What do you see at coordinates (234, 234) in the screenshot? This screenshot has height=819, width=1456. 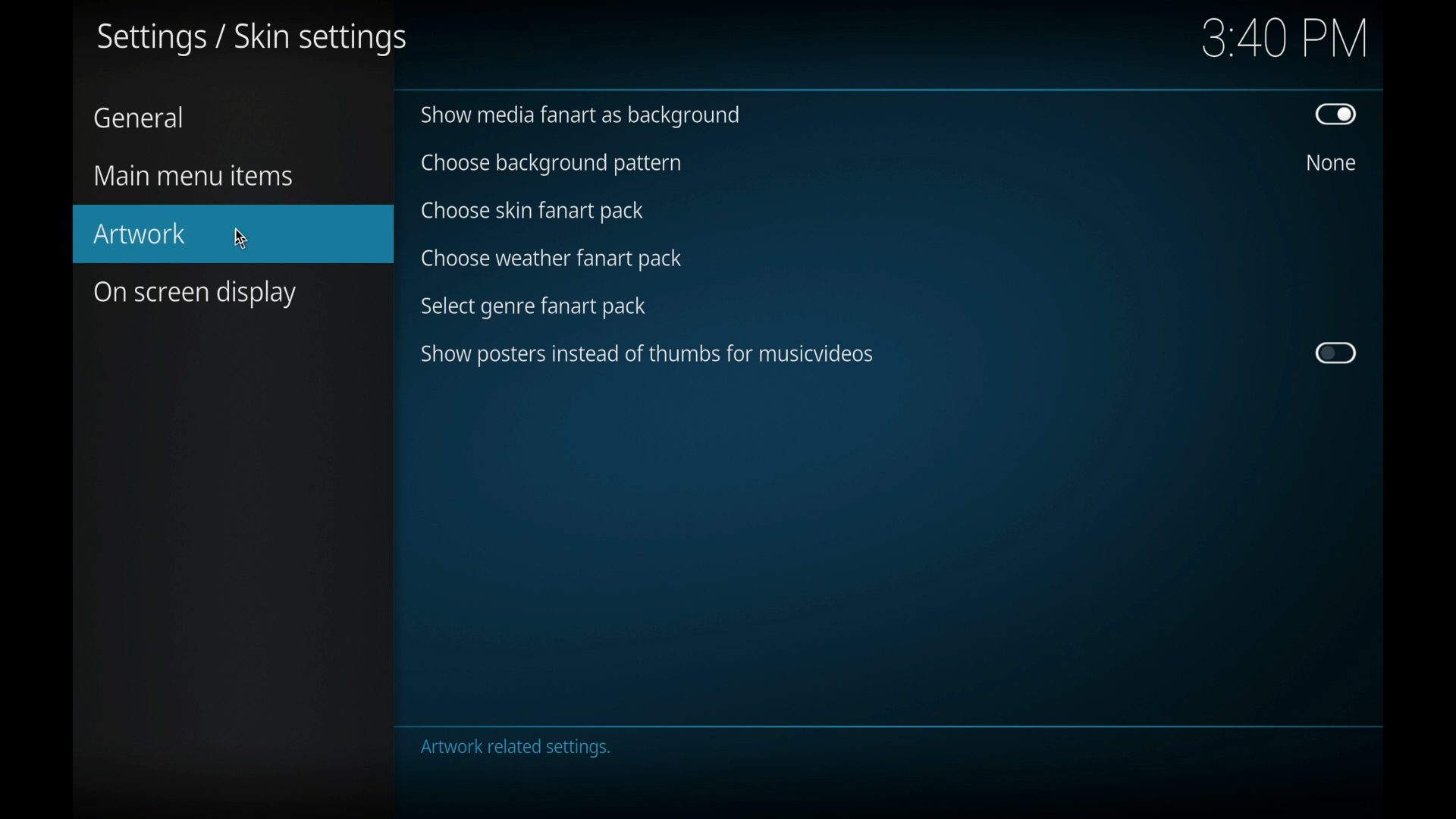 I see `artwork` at bounding box center [234, 234].